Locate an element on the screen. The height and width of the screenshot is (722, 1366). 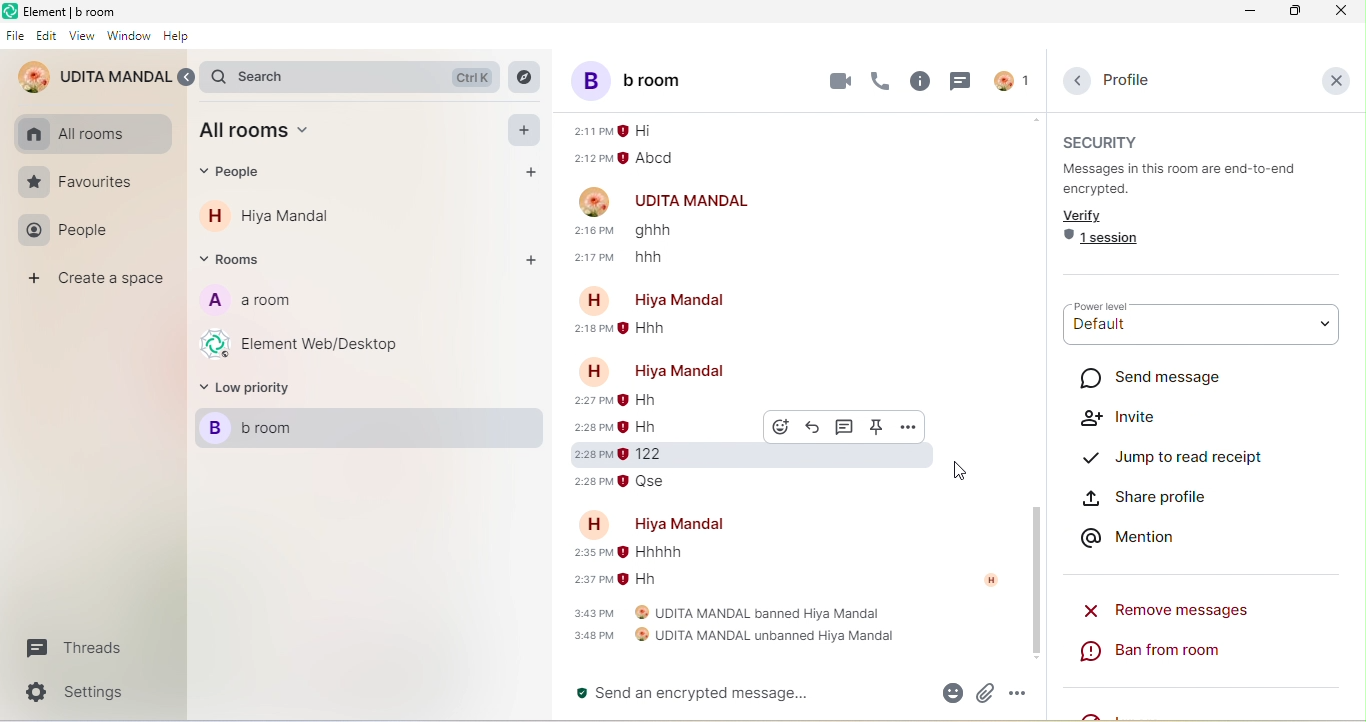
people is located at coordinates (239, 174).